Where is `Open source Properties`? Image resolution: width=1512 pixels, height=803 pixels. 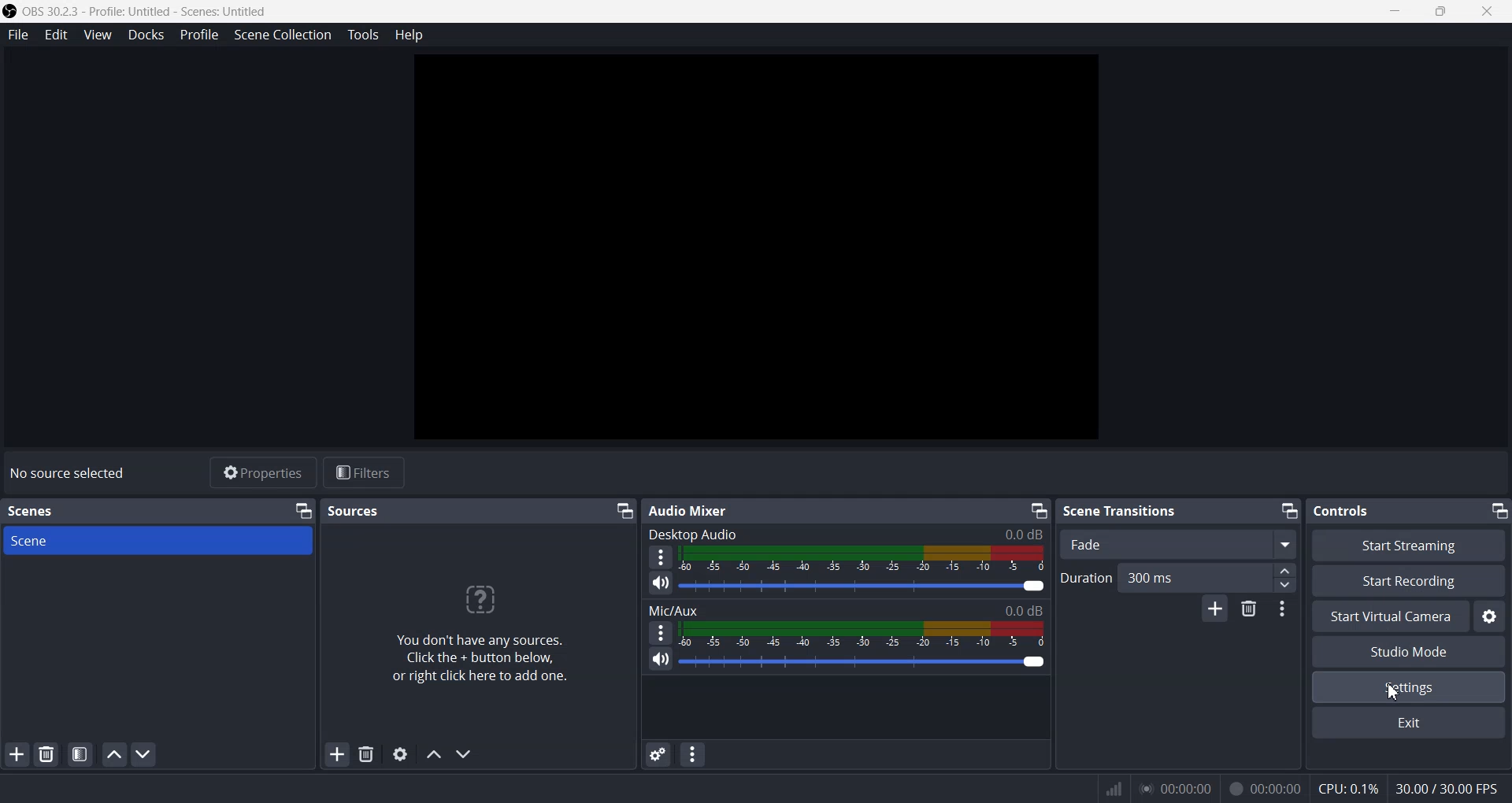
Open source Properties is located at coordinates (400, 755).